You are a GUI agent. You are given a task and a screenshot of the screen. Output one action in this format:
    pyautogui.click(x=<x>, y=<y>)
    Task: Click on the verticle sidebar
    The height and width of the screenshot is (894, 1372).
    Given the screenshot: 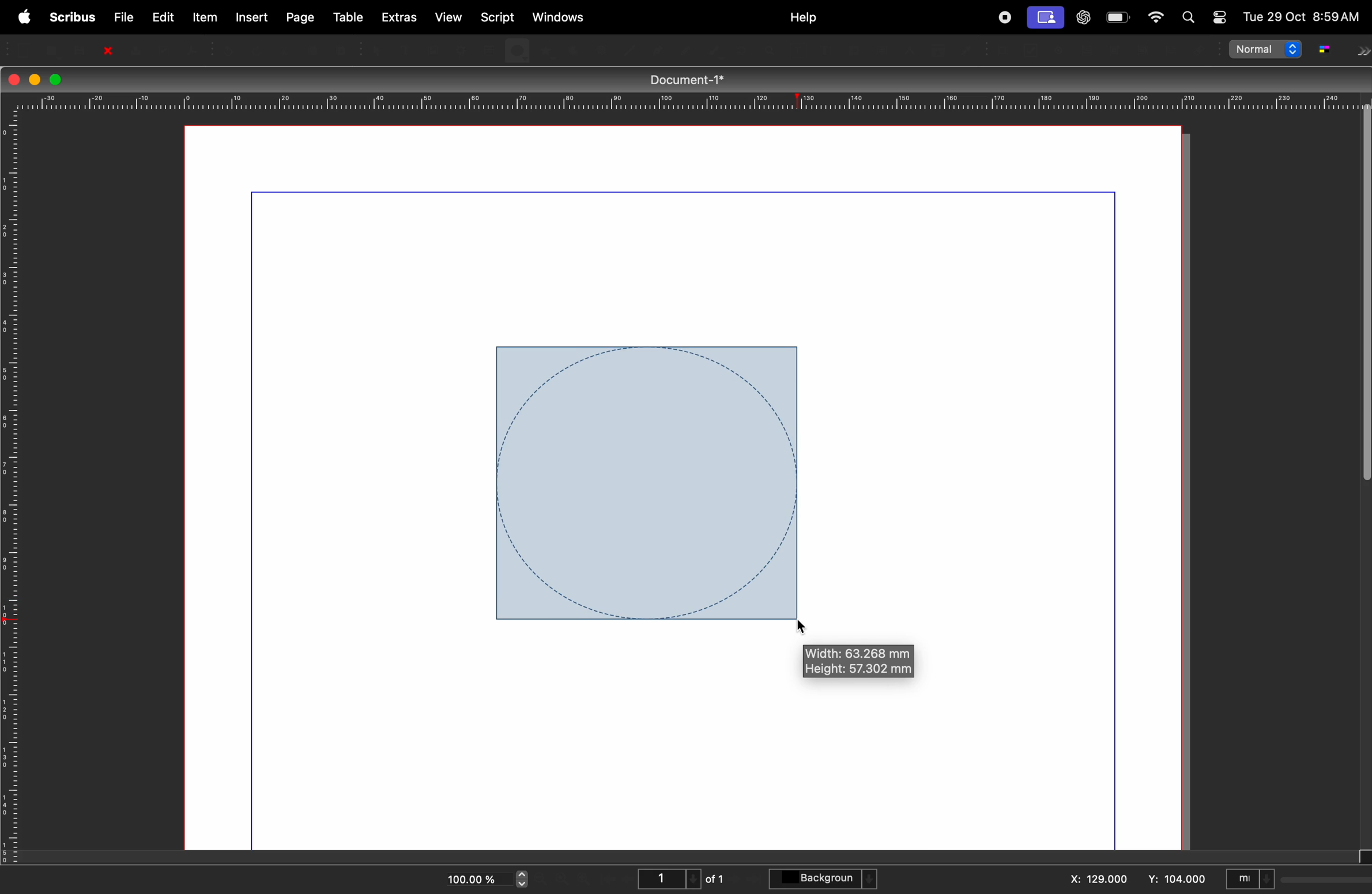 What is the action you would take?
    pyautogui.click(x=1359, y=316)
    